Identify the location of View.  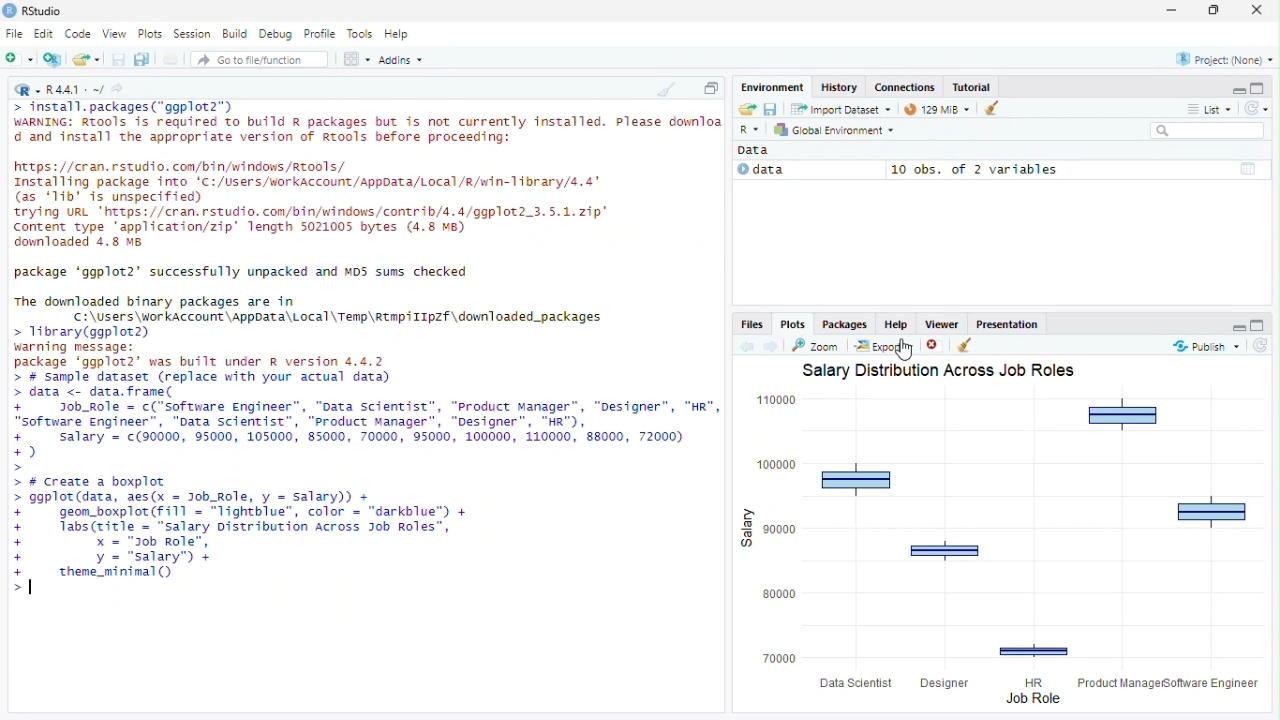
(113, 34).